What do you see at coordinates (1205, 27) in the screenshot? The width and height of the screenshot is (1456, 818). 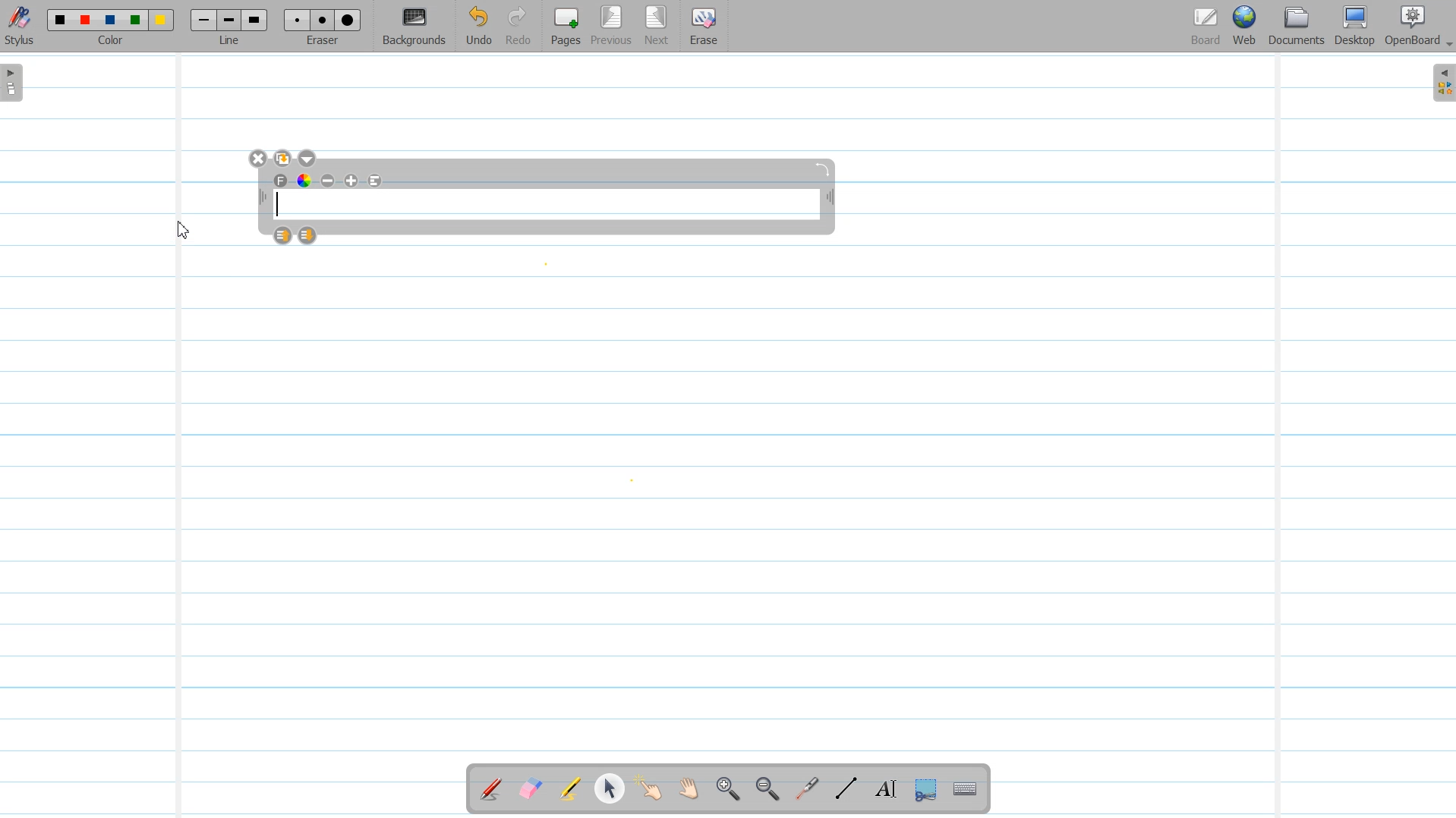 I see `Board` at bounding box center [1205, 27].